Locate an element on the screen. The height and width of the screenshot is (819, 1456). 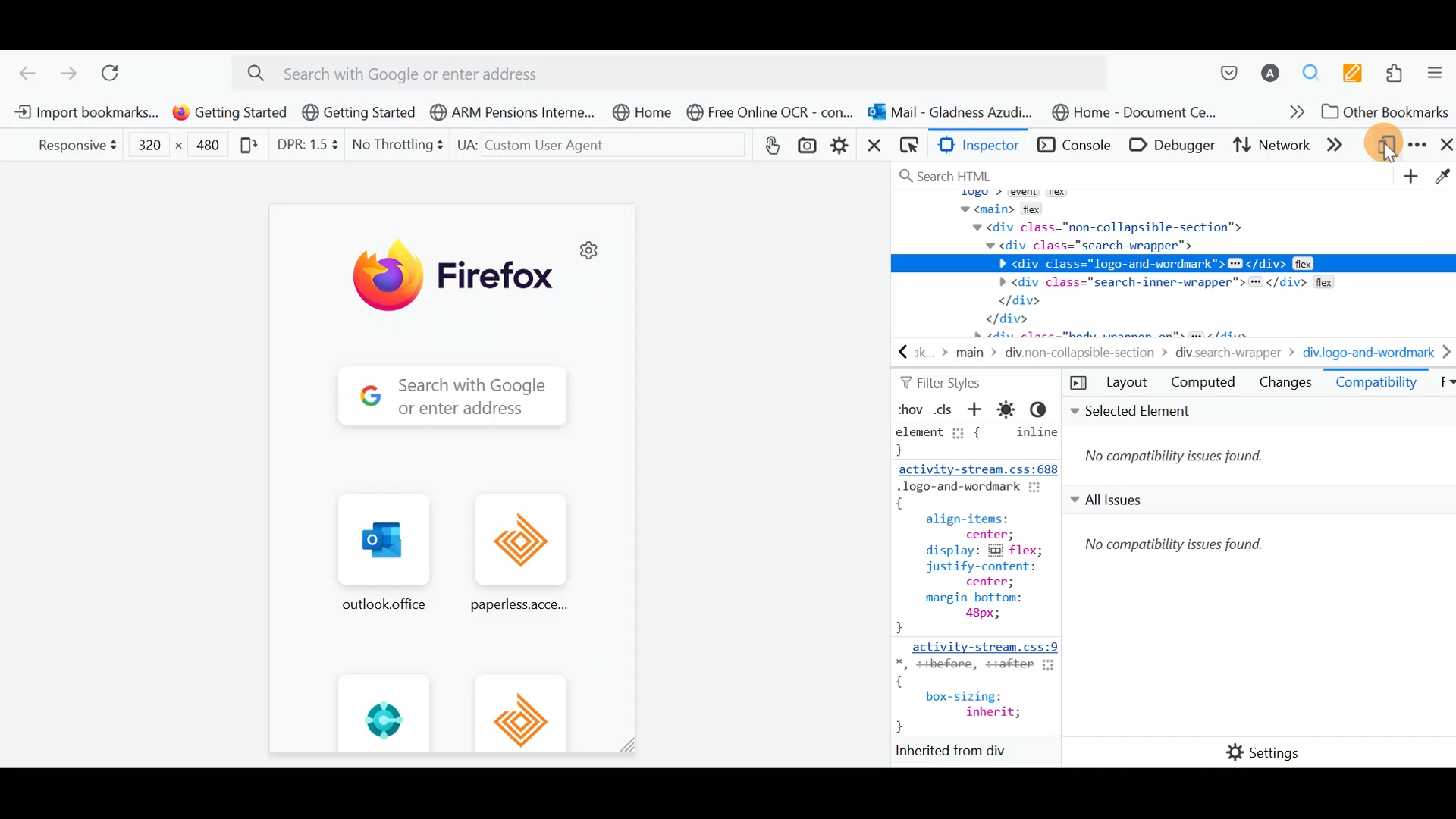
Multiple search & highlight is located at coordinates (1313, 69).